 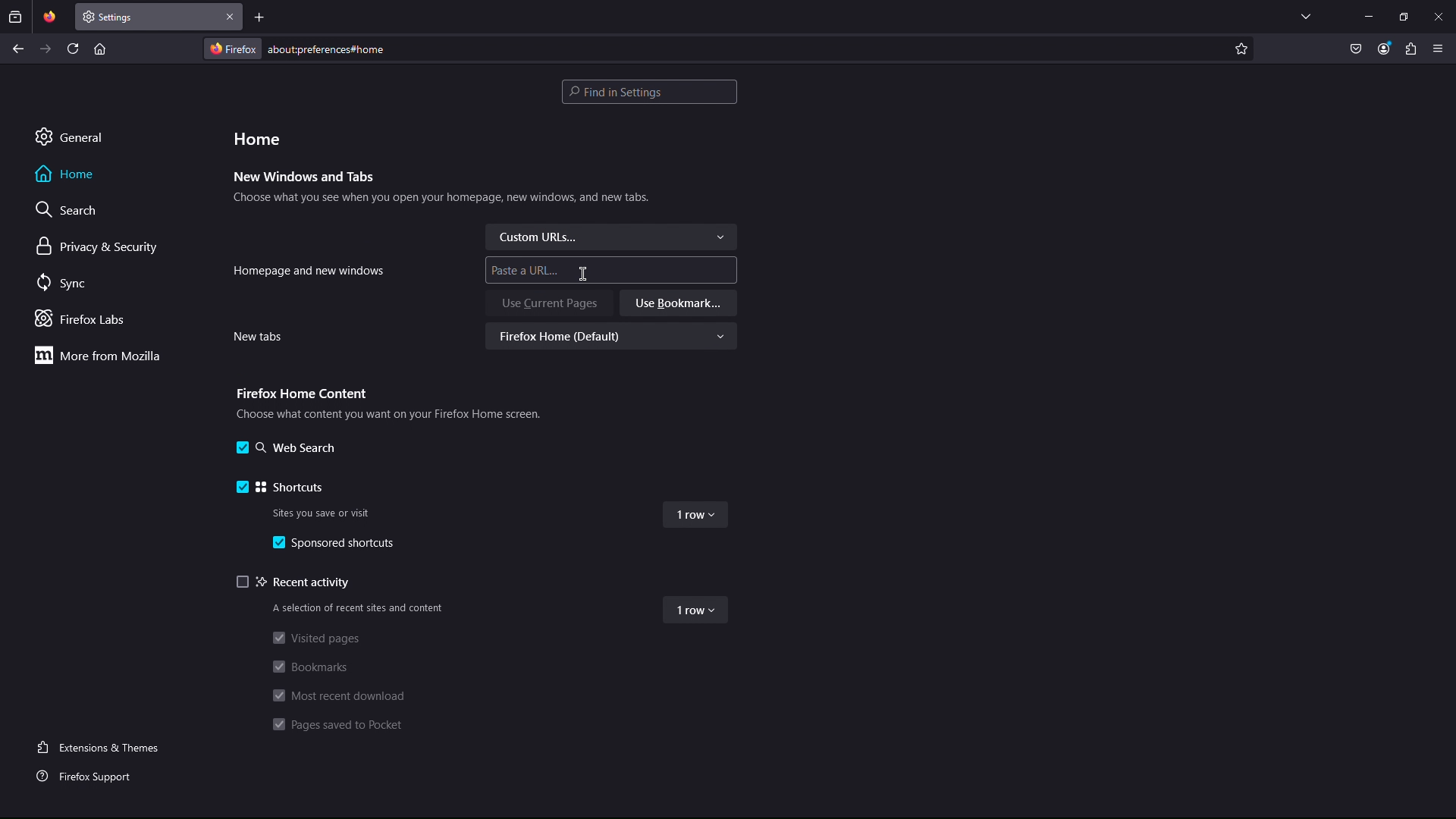 I want to click on Custom URLs..., so click(x=610, y=237).